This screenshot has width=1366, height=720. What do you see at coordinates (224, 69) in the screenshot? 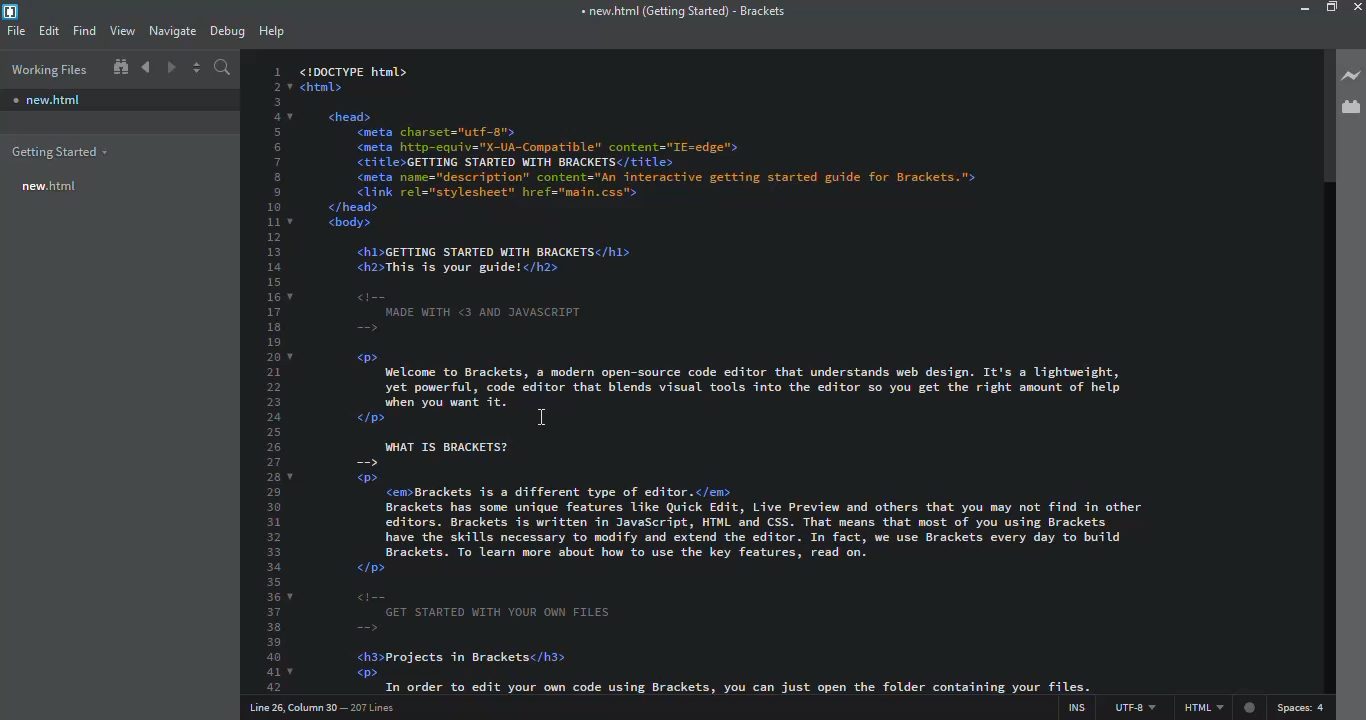
I see `search` at bounding box center [224, 69].